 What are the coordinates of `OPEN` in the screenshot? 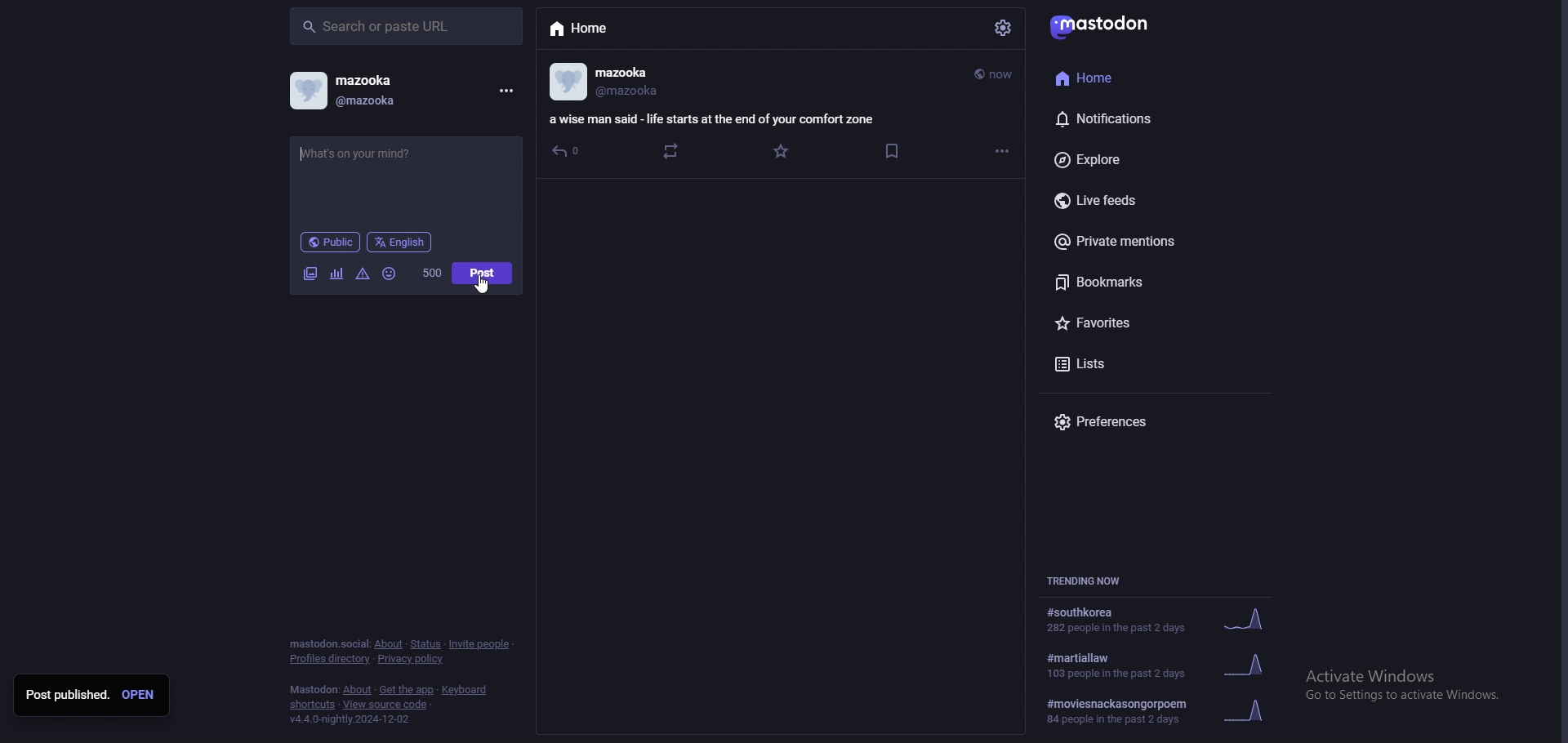 It's located at (140, 694).